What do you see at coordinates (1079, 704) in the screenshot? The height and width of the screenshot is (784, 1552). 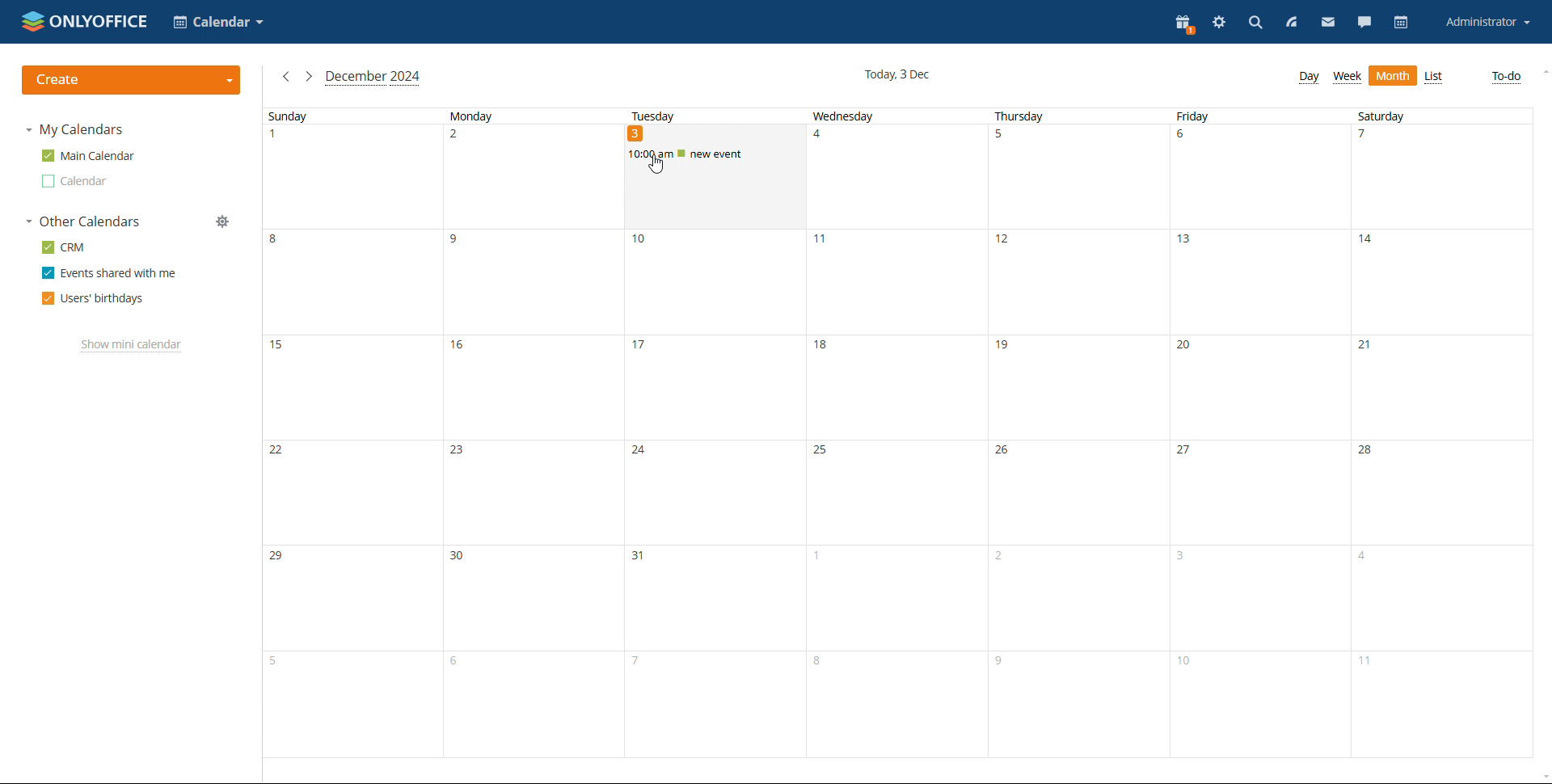 I see `9` at bounding box center [1079, 704].